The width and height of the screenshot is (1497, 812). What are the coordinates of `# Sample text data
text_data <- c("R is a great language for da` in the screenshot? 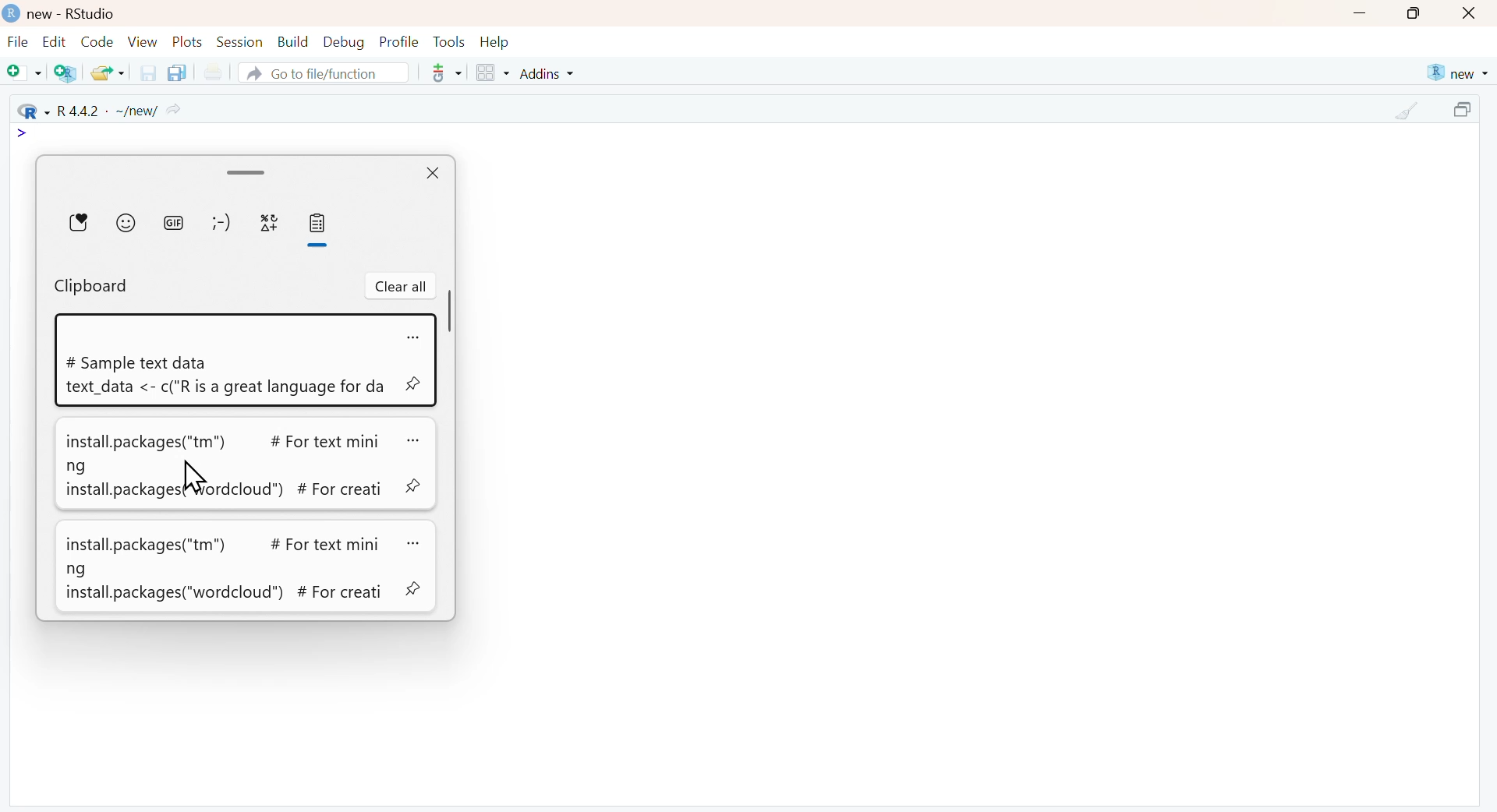 It's located at (228, 377).